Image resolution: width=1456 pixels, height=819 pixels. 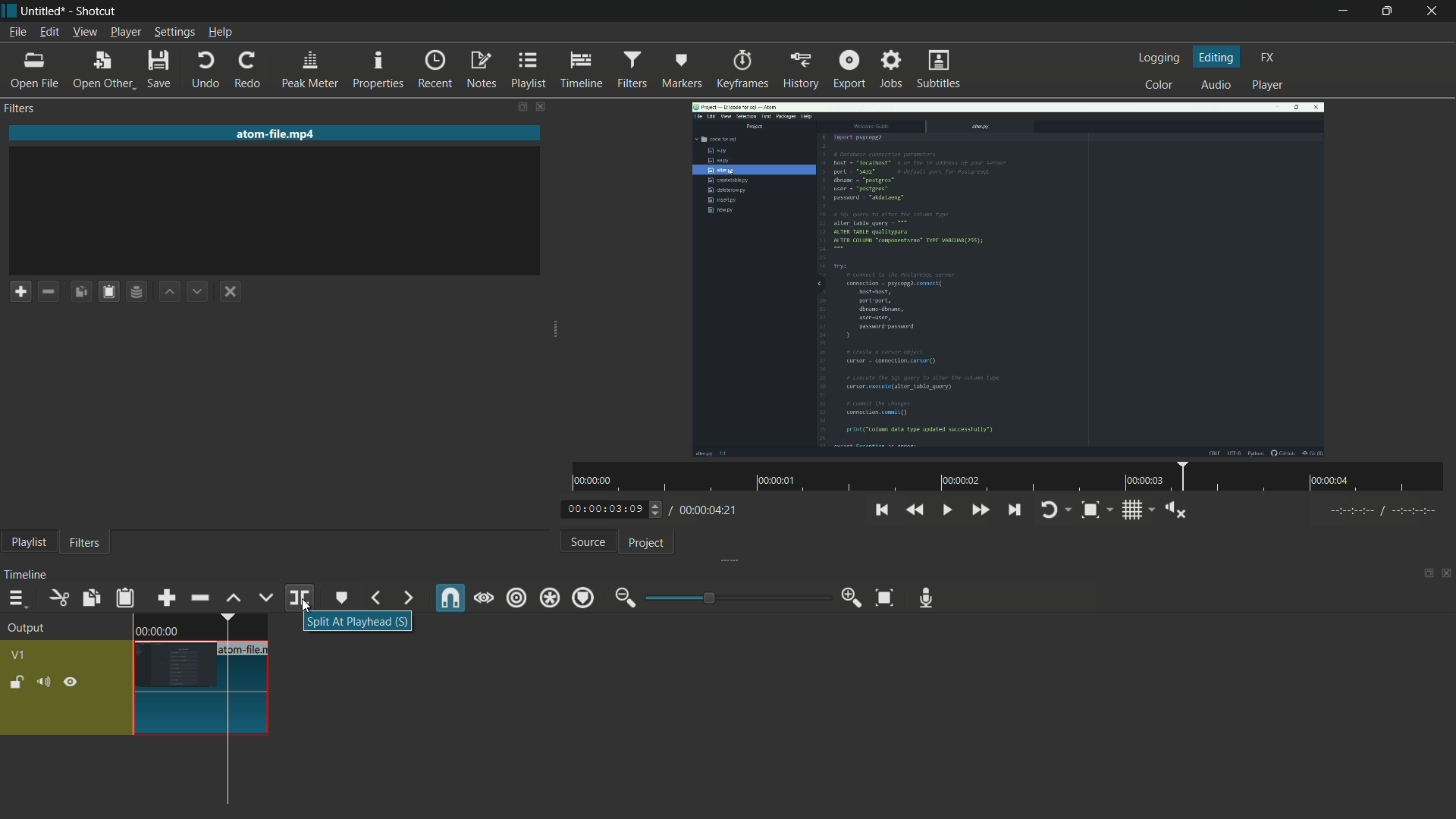 I want to click on logging, so click(x=1159, y=57).